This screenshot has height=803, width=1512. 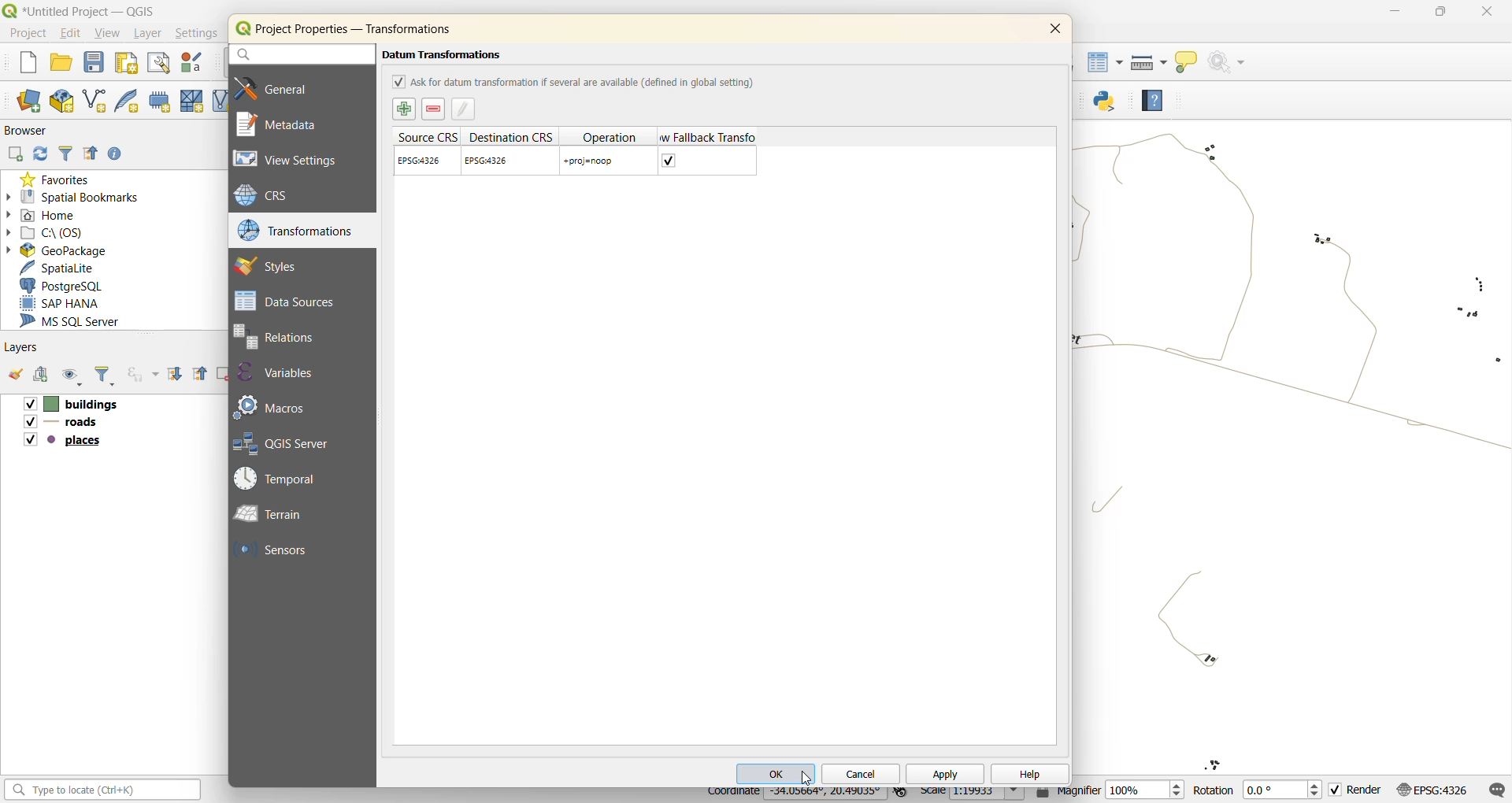 I want to click on print layout, so click(x=128, y=62).